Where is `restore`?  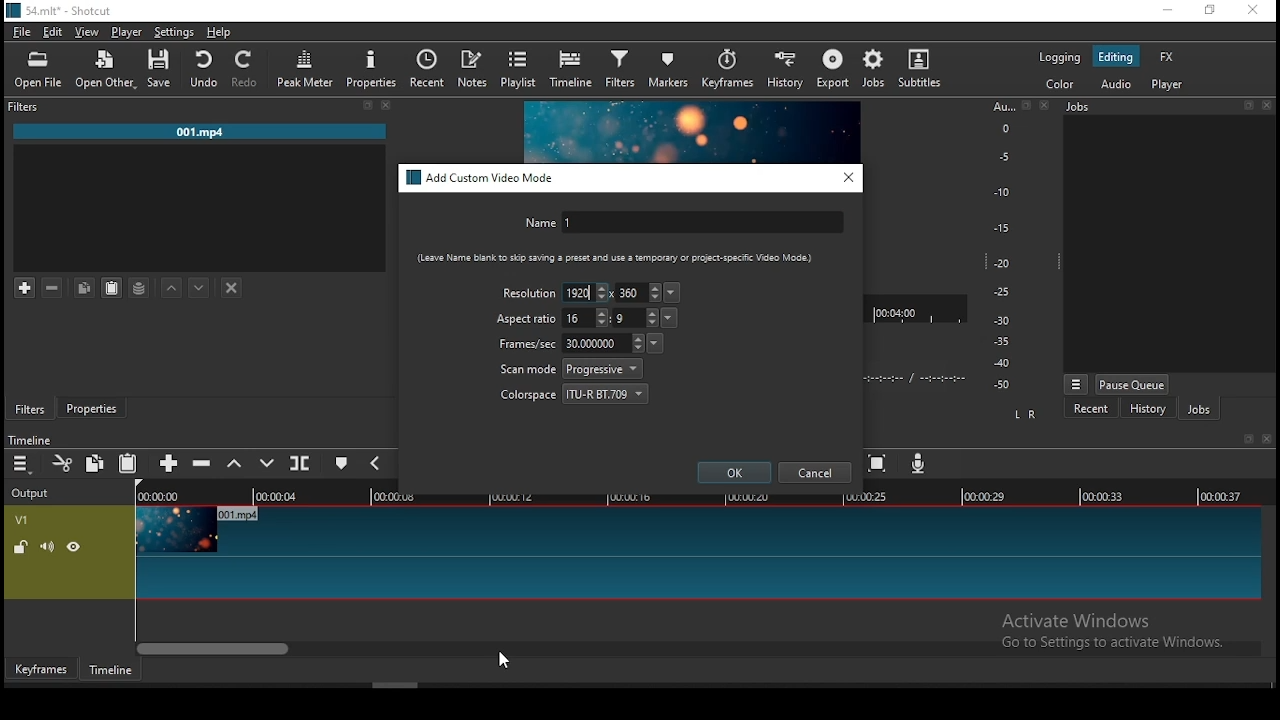
restore is located at coordinates (1248, 106).